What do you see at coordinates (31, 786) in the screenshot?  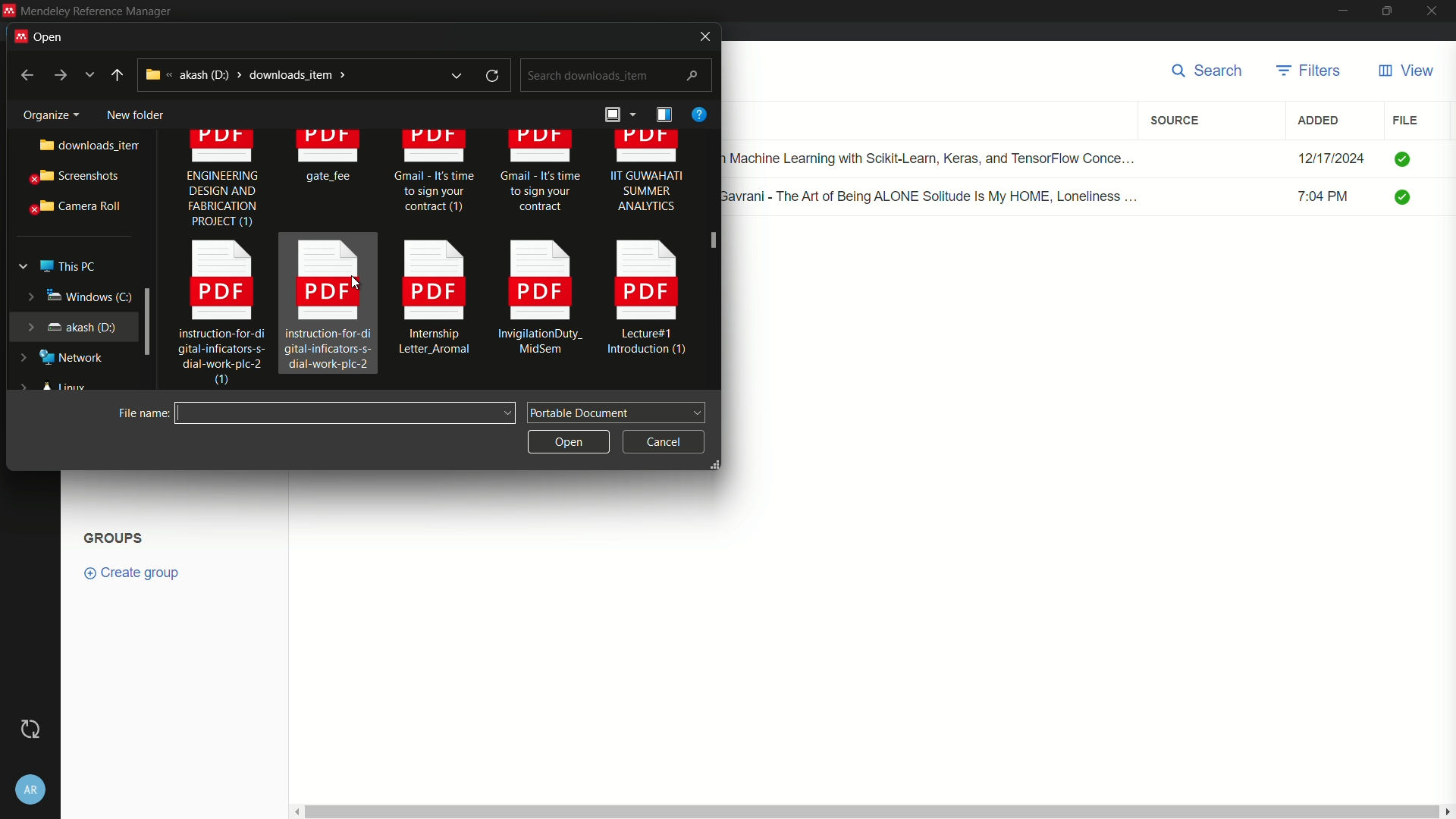 I see `account settings` at bounding box center [31, 786].